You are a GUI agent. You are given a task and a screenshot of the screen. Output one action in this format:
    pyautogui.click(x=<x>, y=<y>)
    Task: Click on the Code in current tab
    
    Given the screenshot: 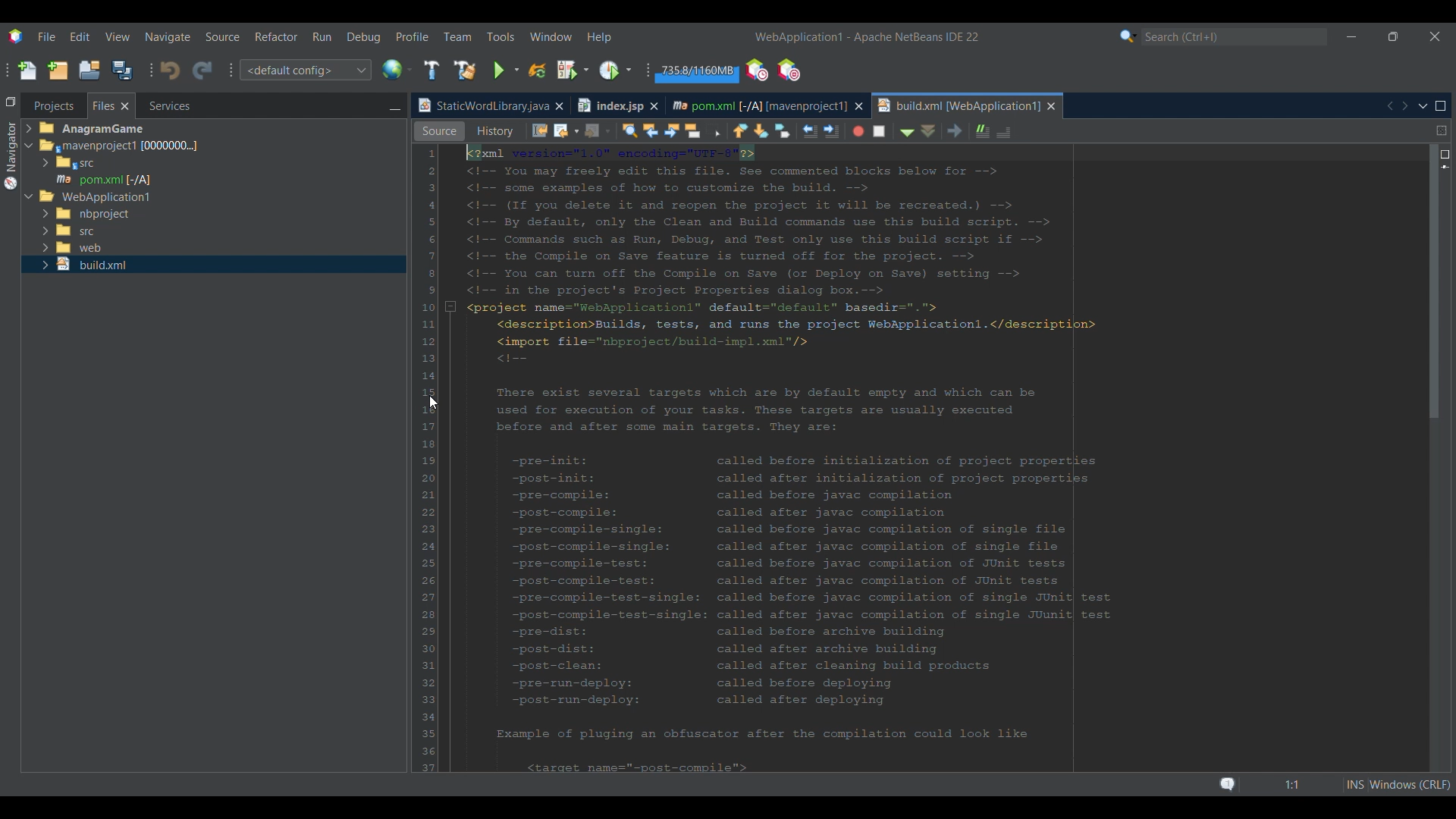 What is the action you would take?
    pyautogui.click(x=934, y=457)
    